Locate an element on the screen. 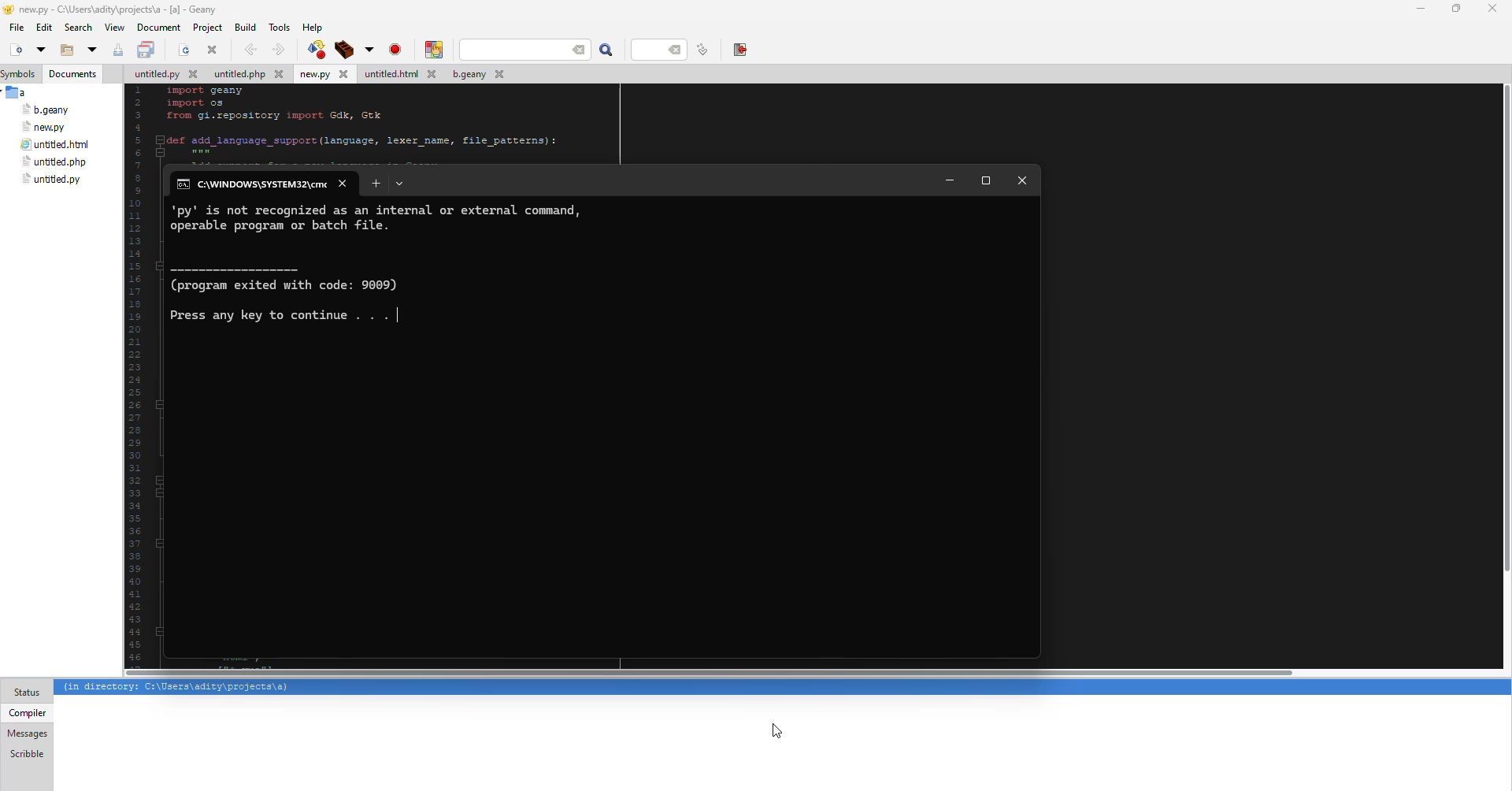 The image size is (1512, 791). file is located at coordinates (250, 74).